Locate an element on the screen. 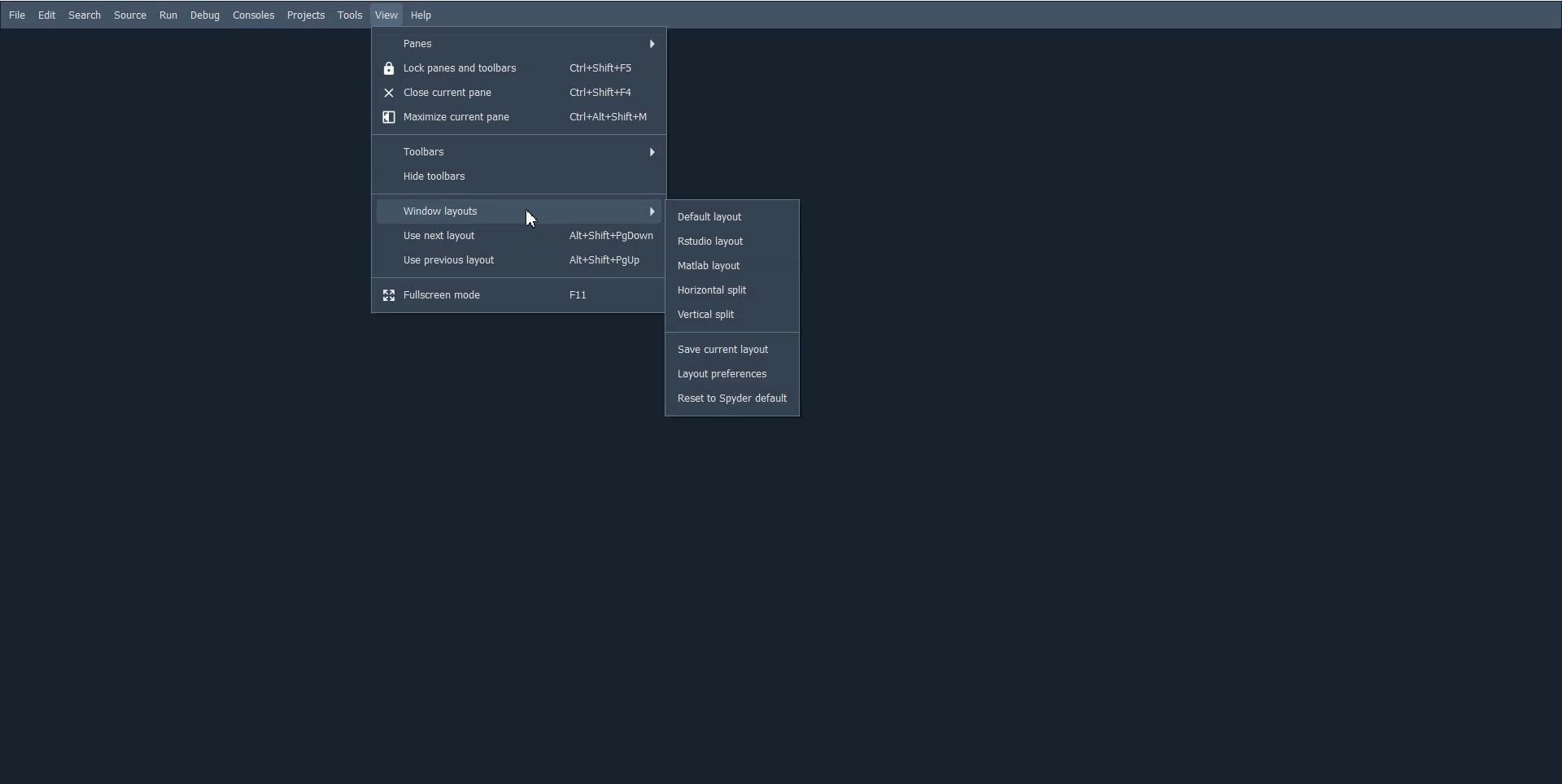 The image size is (1562, 784). Matlab layout is located at coordinates (734, 264).